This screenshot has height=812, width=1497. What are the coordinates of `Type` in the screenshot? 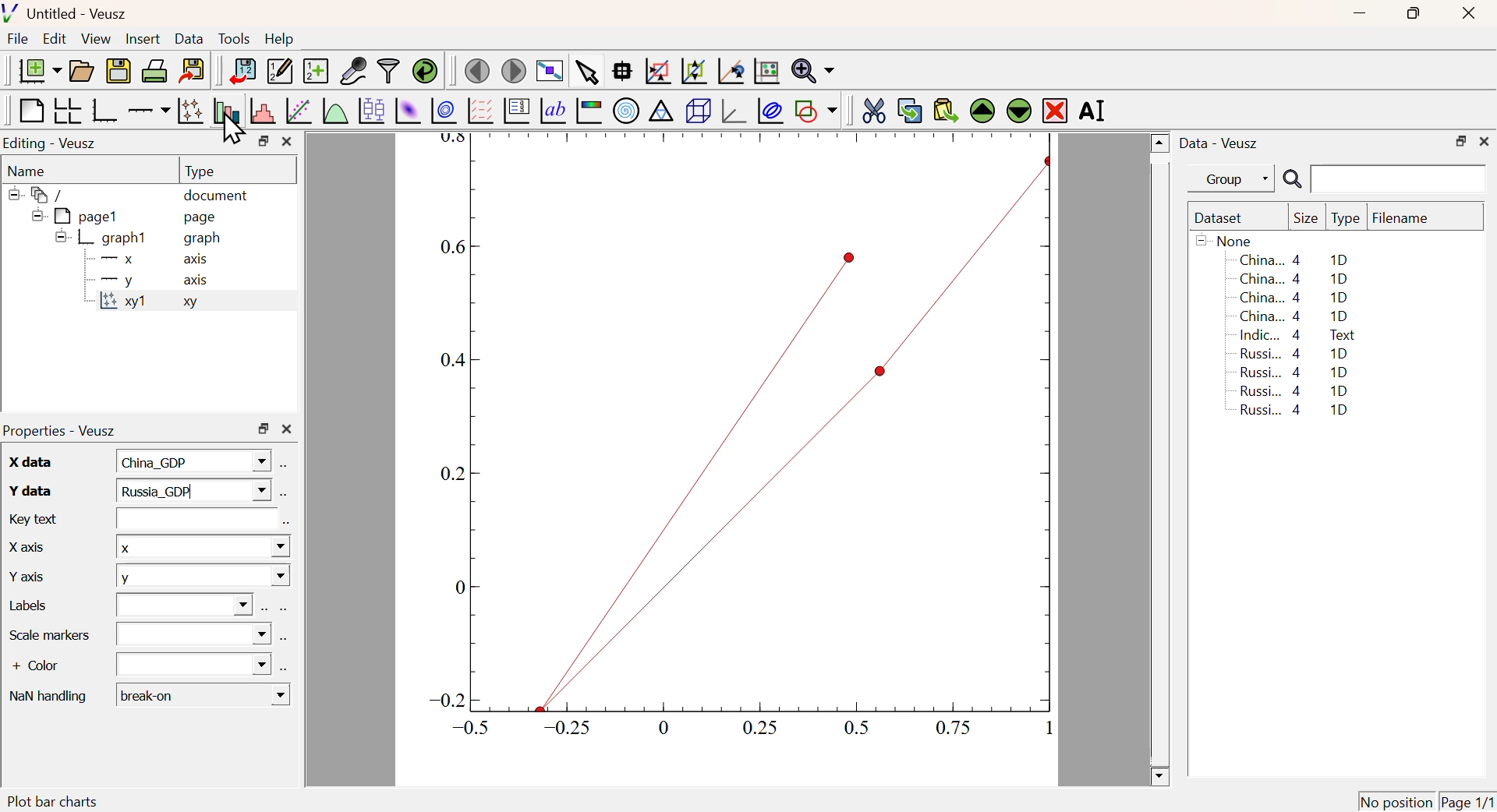 It's located at (200, 171).